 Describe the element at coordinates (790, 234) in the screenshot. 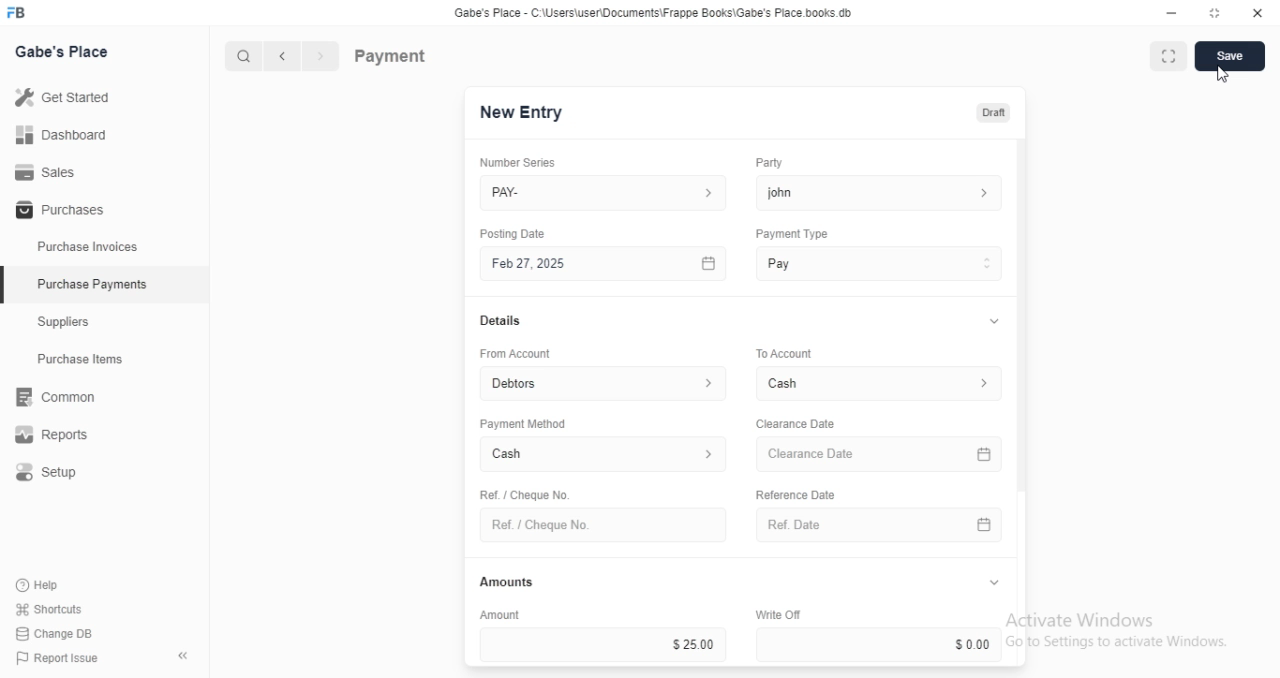

I see `Payment Type` at that location.